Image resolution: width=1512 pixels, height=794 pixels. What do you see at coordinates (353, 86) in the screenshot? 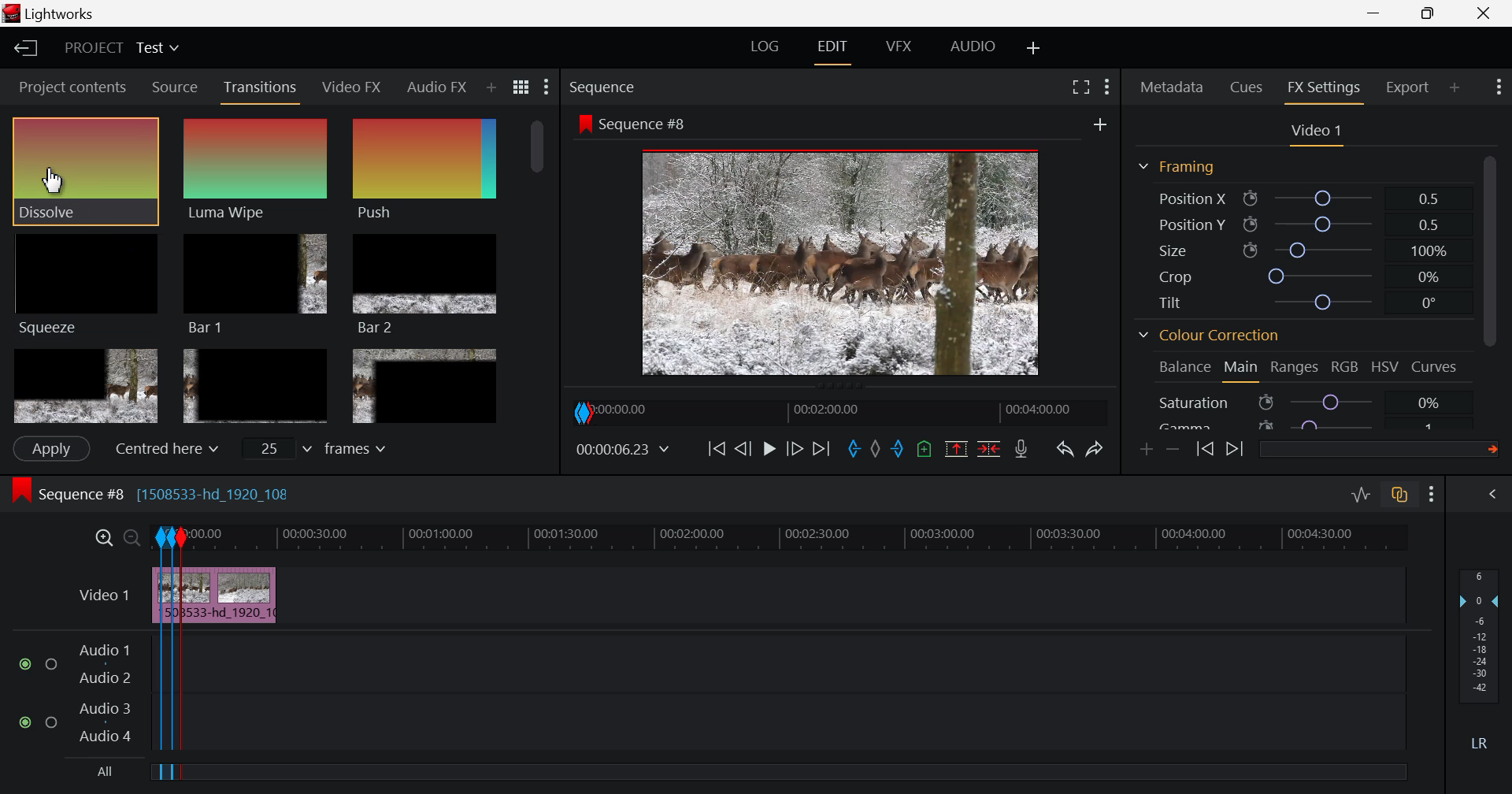
I see `Video FX` at bounding box center [353, 86].